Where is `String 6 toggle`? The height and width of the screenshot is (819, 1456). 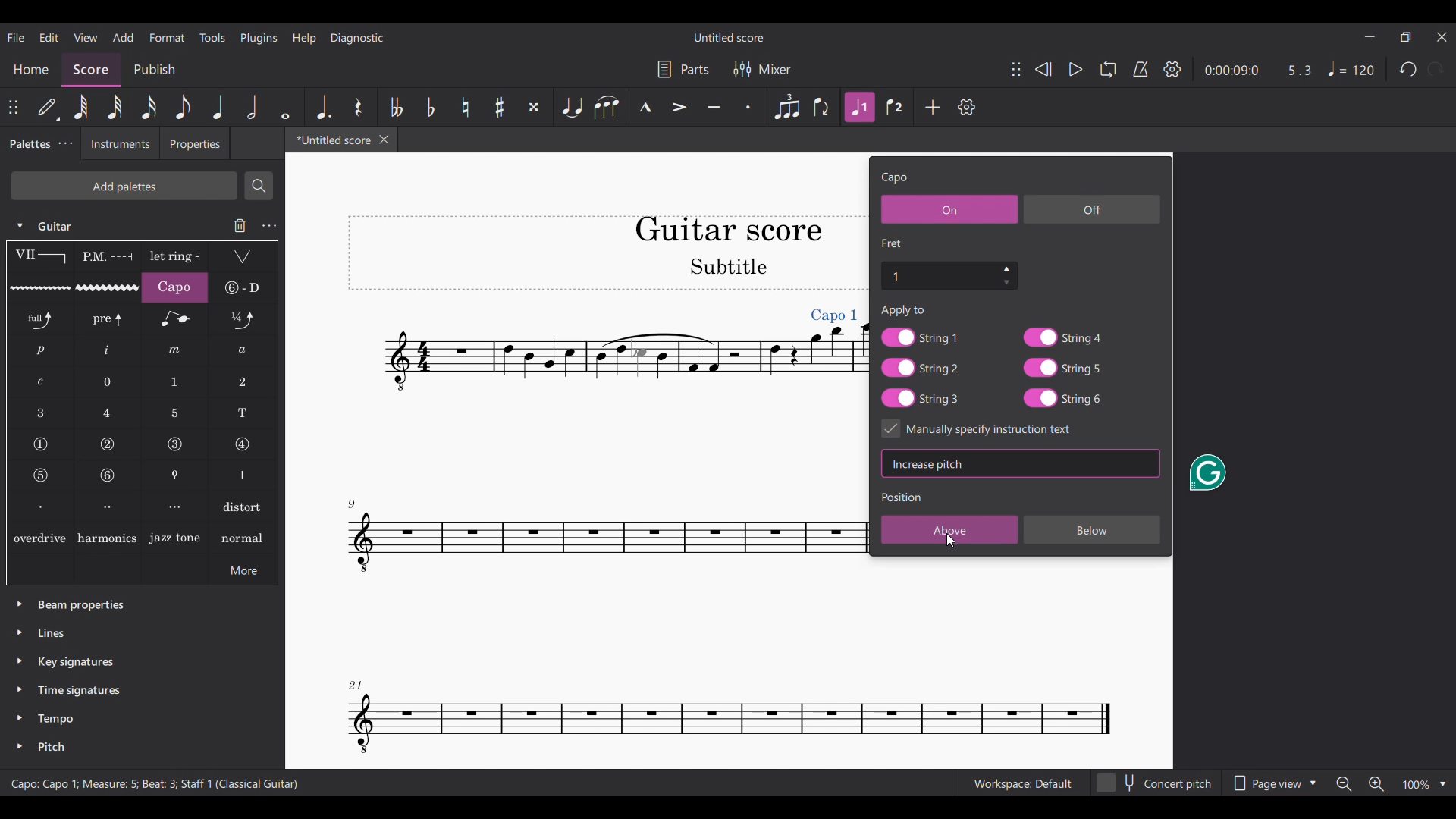 String 6 toggle is located at coordinates (1064, 398).